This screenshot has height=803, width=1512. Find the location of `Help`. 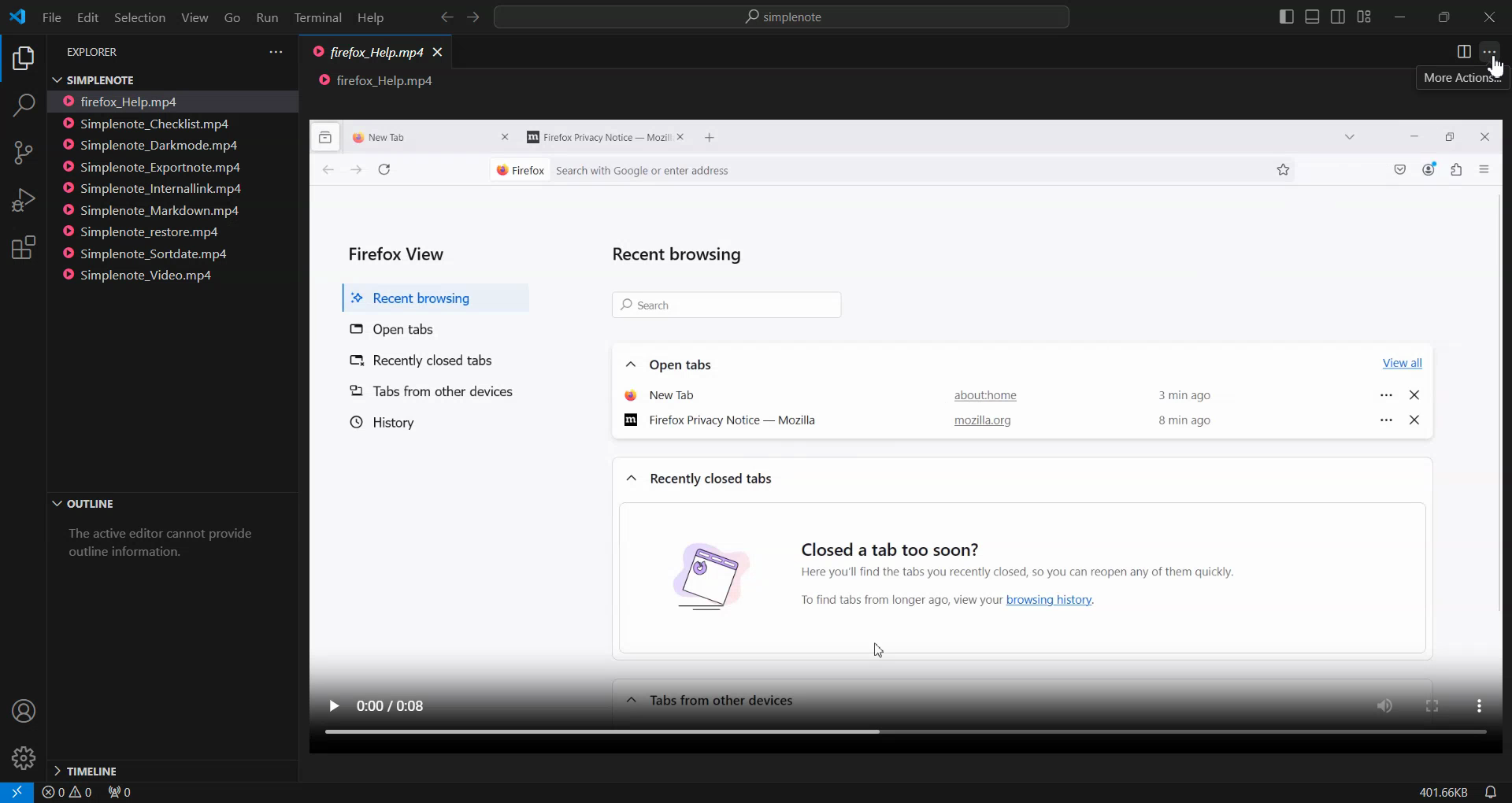

Help is located at coordinates (370, 19).